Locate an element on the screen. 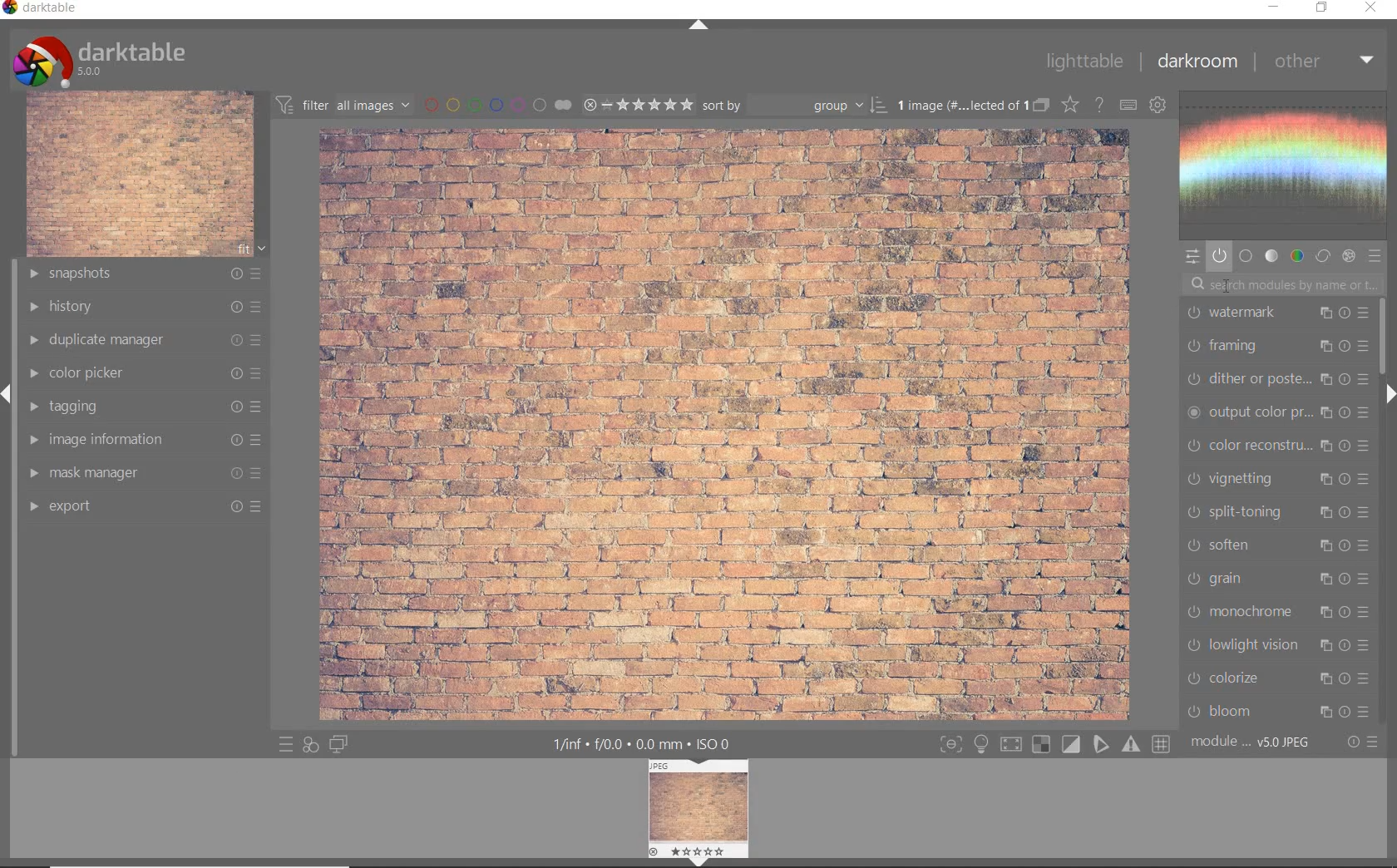 The image size is (1397, 868). down is located at coordinates (698, 862).